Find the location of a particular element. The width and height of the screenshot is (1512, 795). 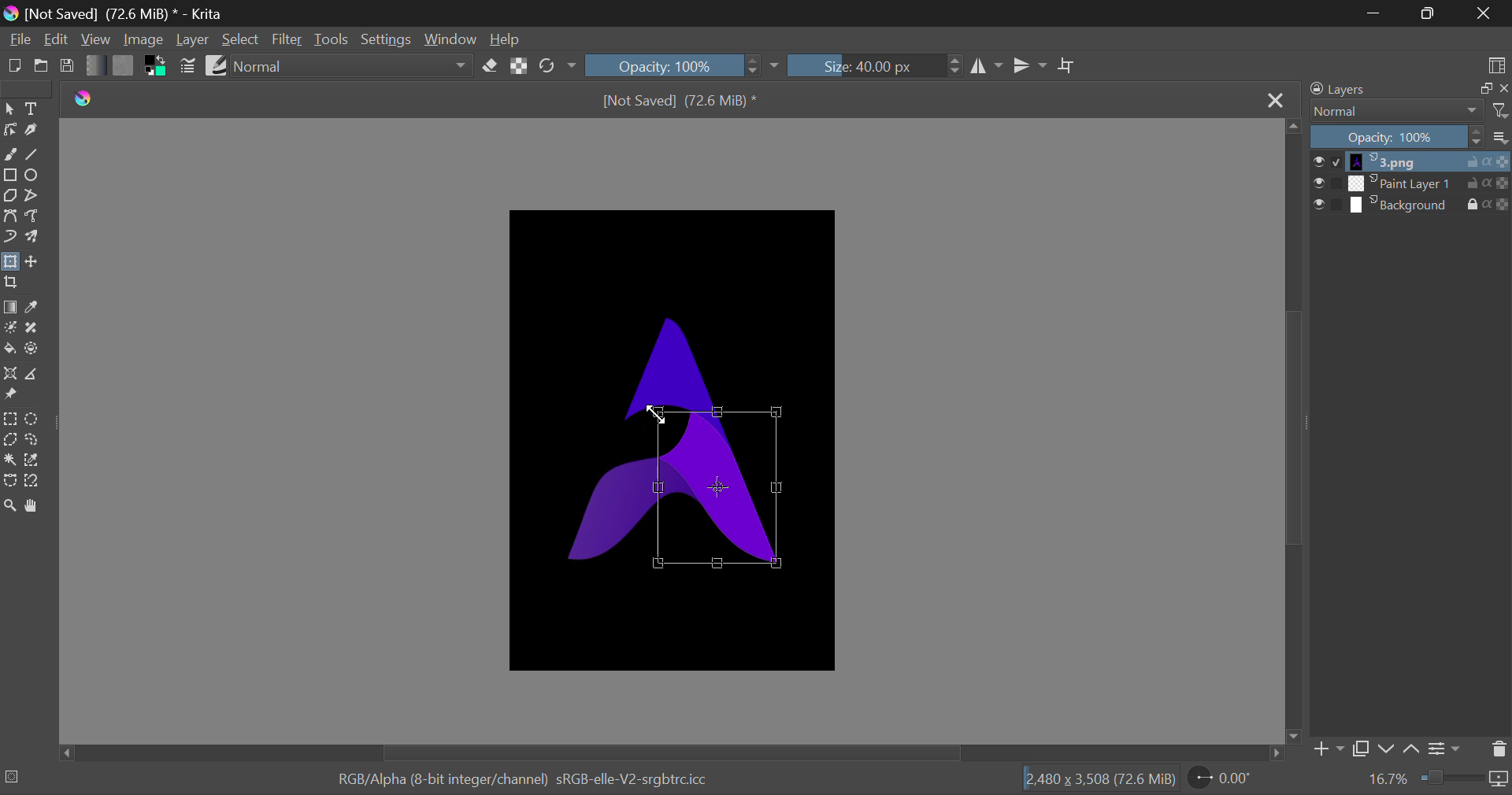

Window is located at coordinates (448, 39).